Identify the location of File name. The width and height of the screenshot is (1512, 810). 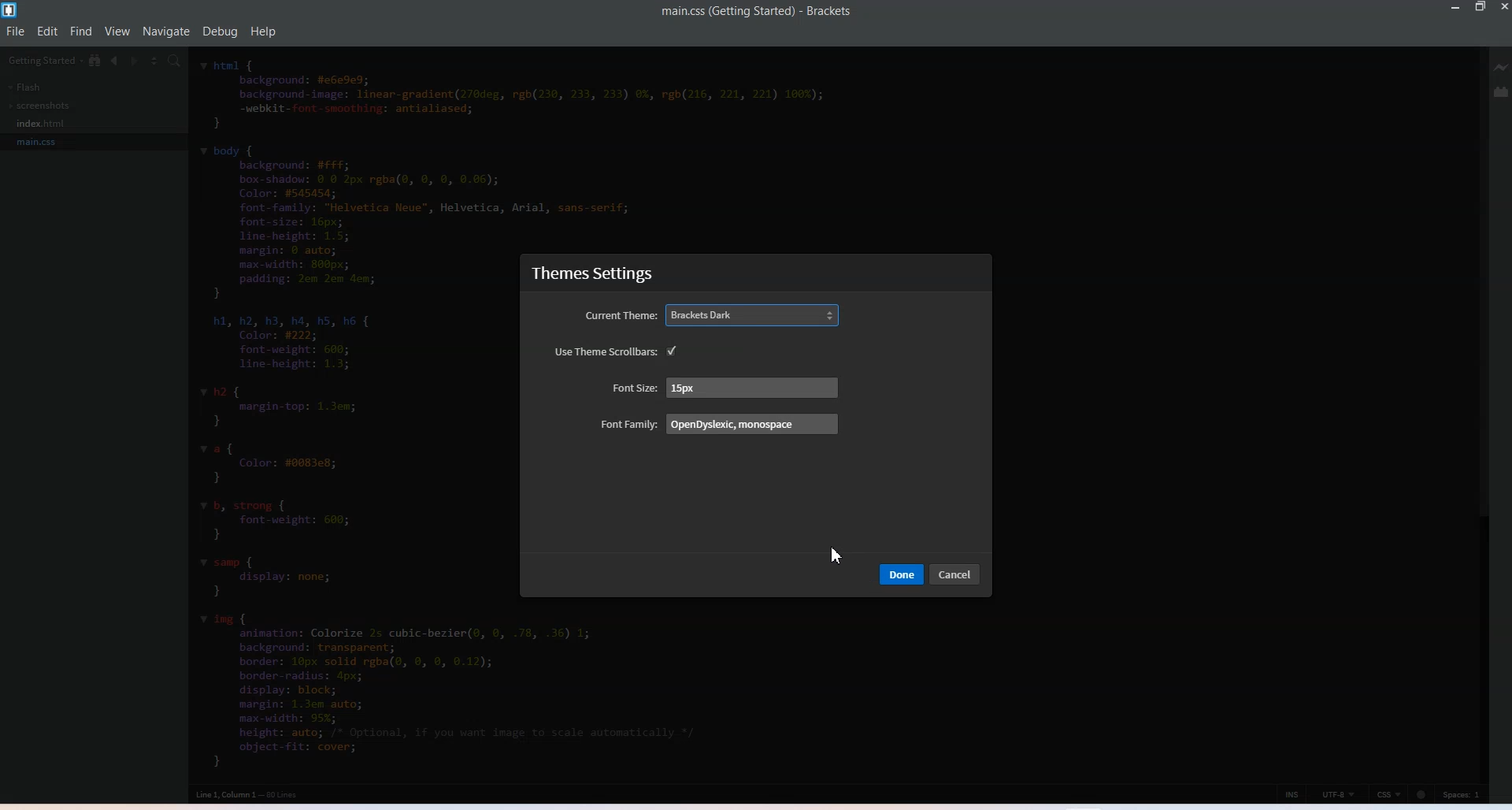
(757, 12).